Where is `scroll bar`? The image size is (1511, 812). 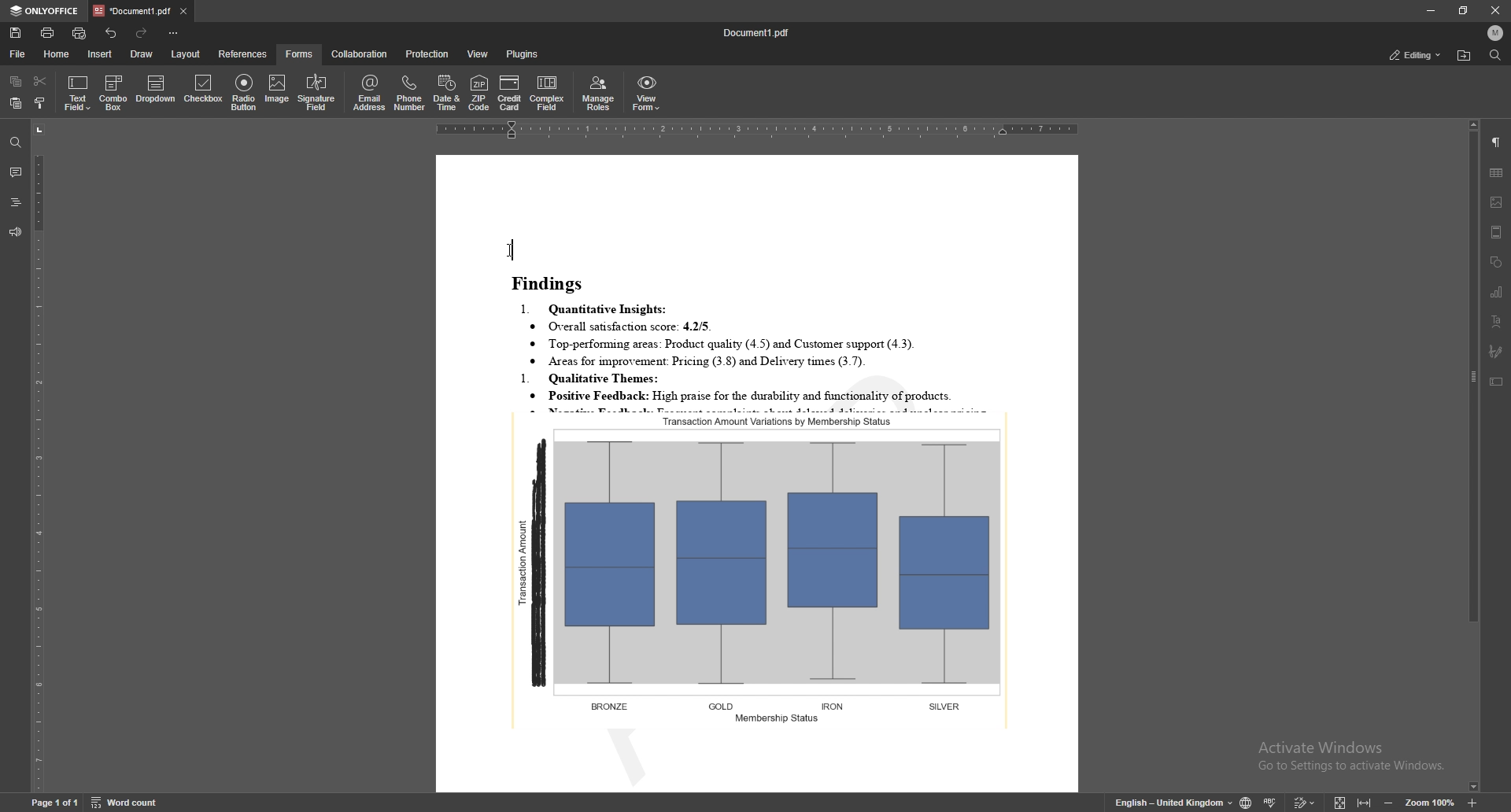
scroll bar is located at coordinates (1471, 456).